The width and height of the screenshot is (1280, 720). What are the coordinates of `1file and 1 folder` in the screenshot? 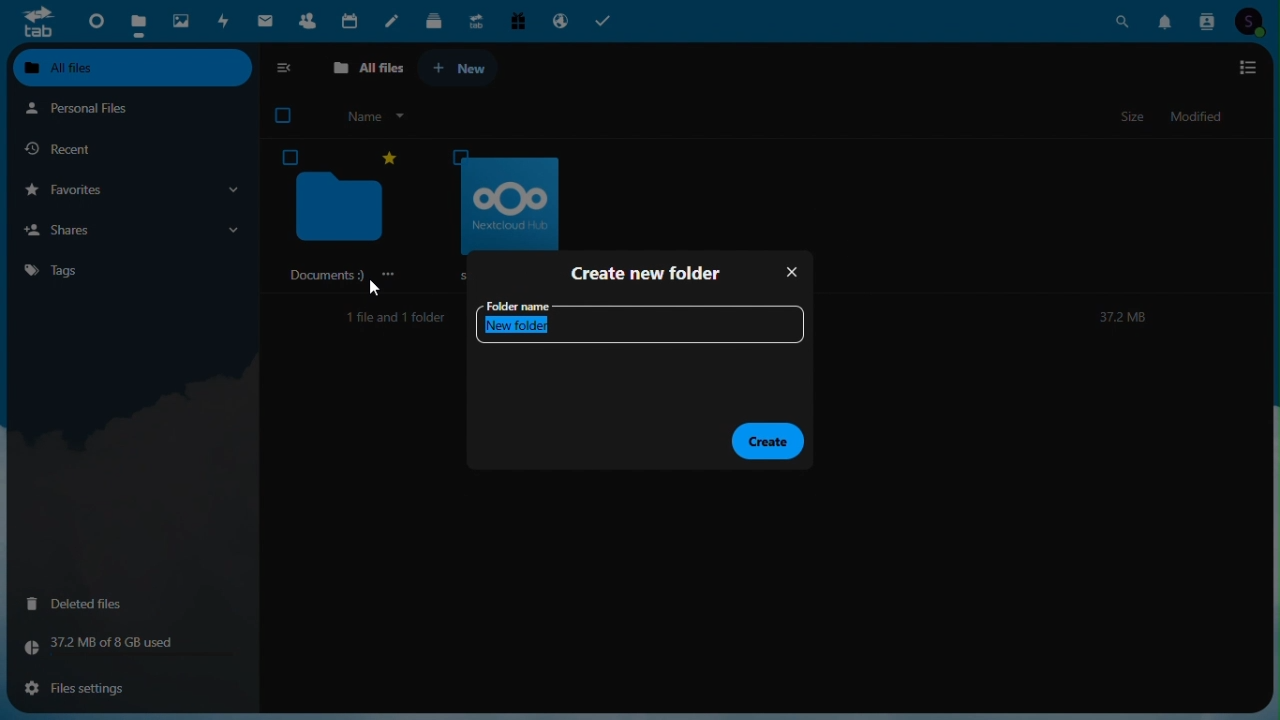 It's located at (403, 321).